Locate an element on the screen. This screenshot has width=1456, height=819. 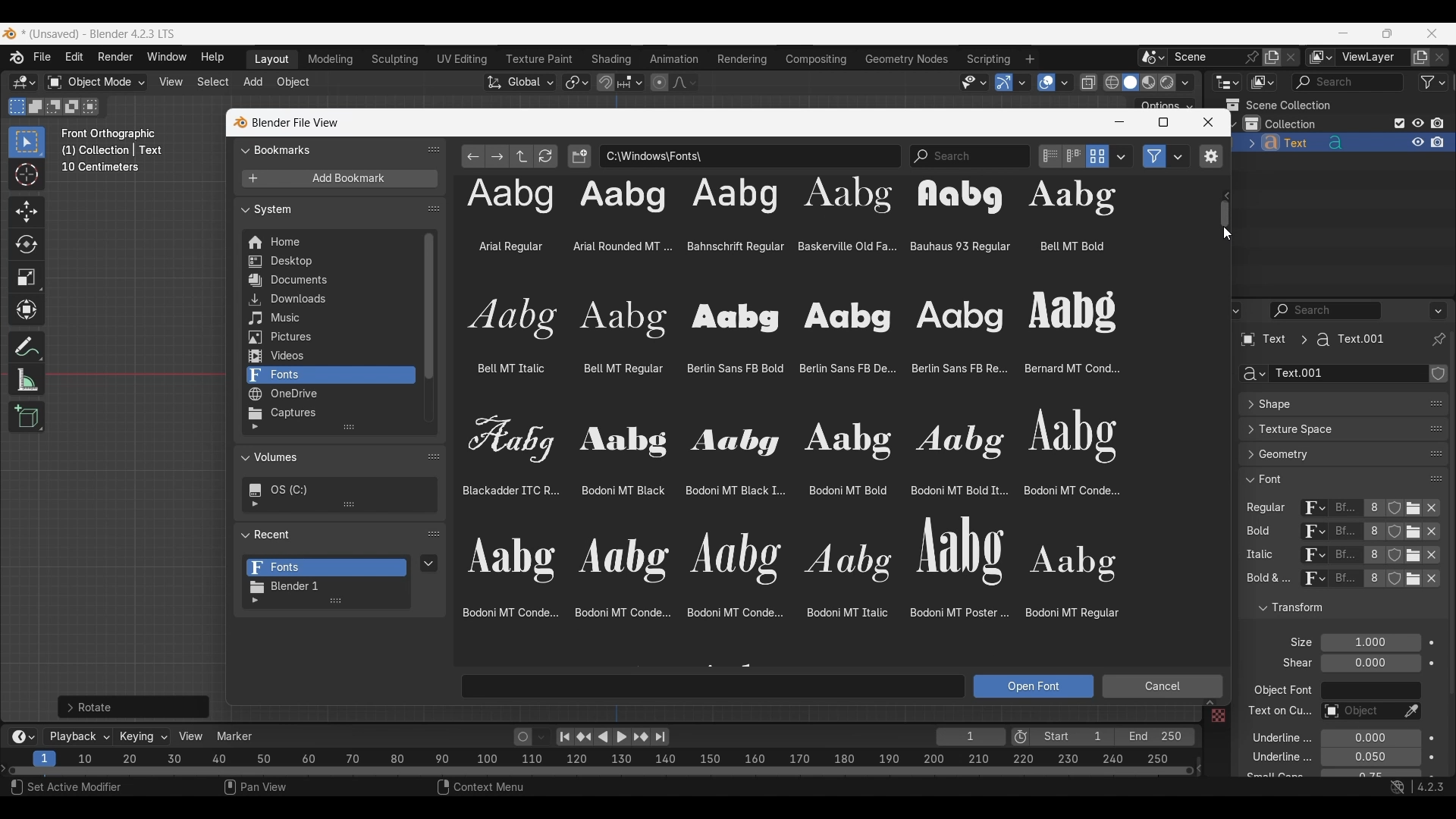
fake user is located at coordinates (1397, 585).